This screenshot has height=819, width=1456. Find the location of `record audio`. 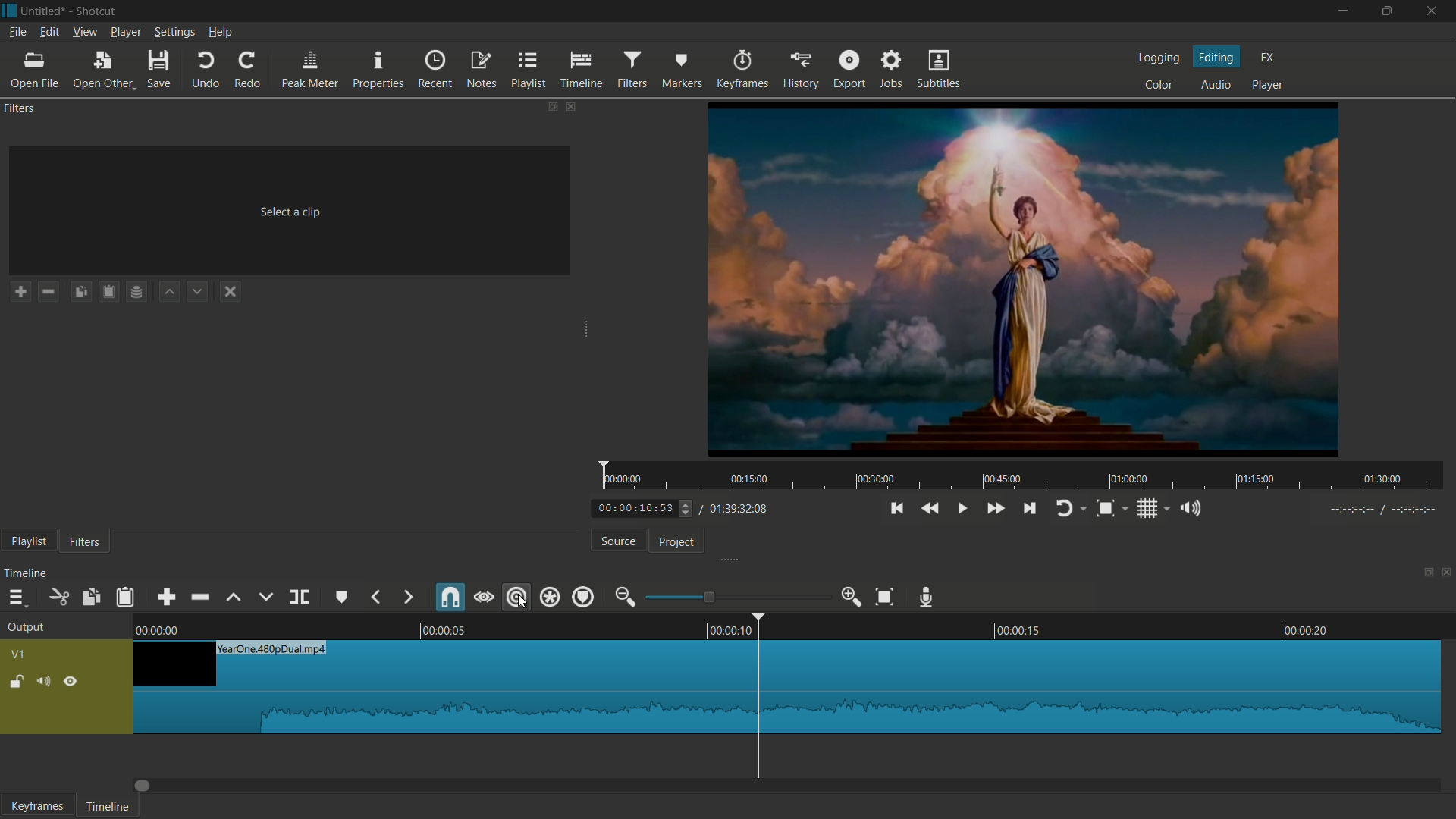

record audio is located at coordinates (927, 598).